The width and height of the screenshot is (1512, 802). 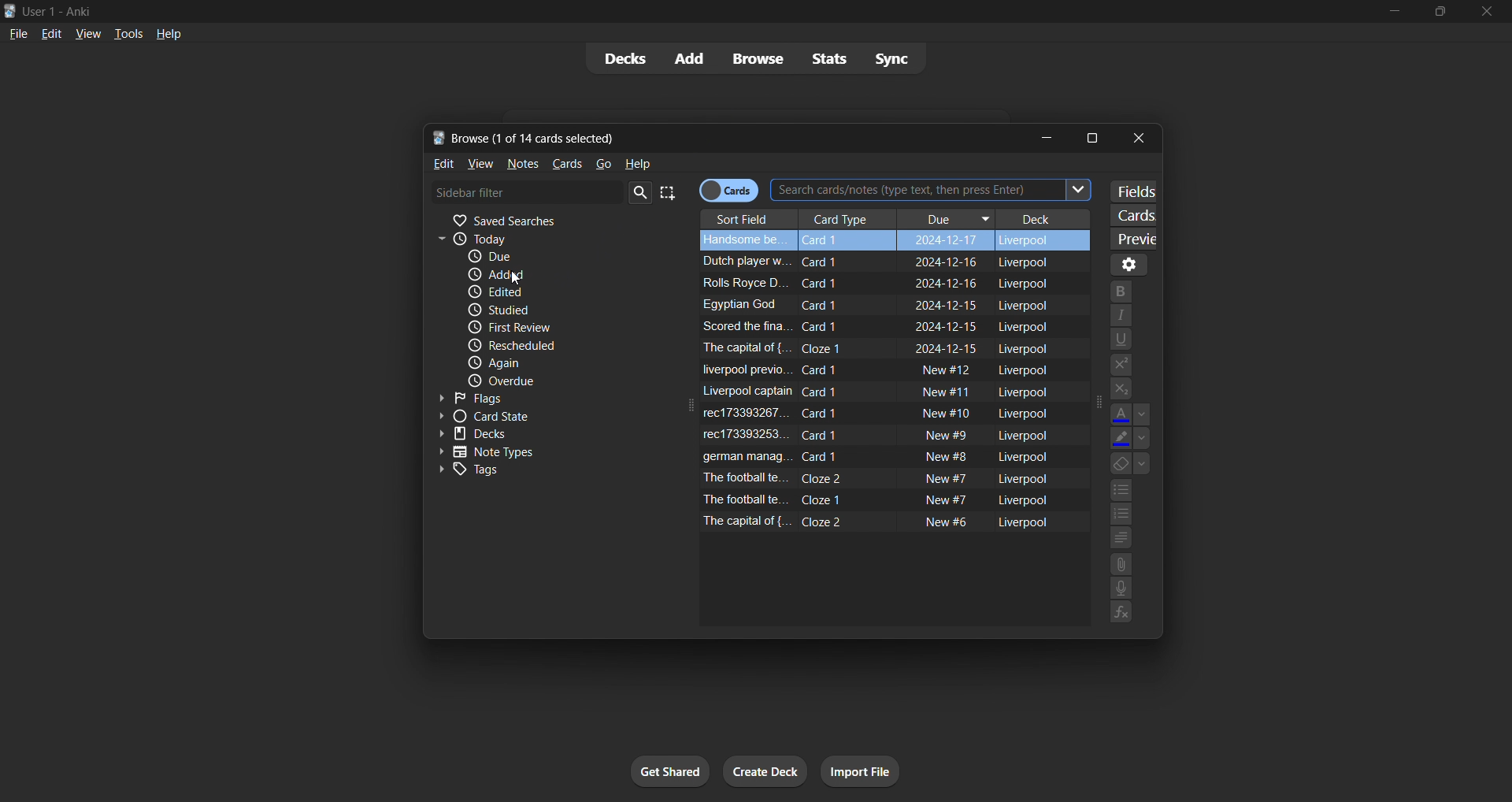 What do you see at coordinates (877, 347) in the screenshot?
I see `The capital of {... Cloze 1 2024-12-15 Liverpool` at bounding box center [877, 347].